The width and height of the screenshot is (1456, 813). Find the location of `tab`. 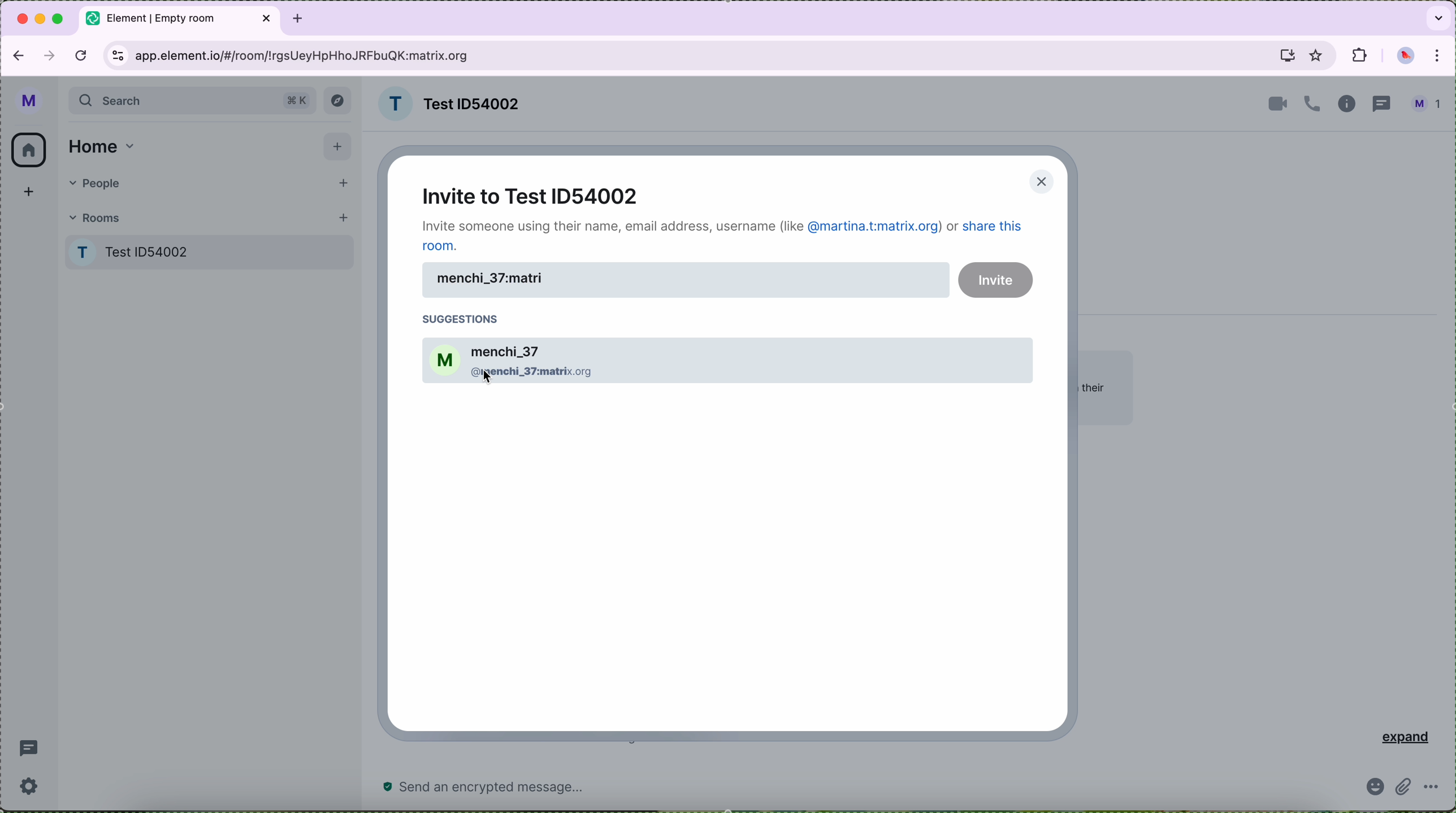

tab is located at coordinates (298, 17).